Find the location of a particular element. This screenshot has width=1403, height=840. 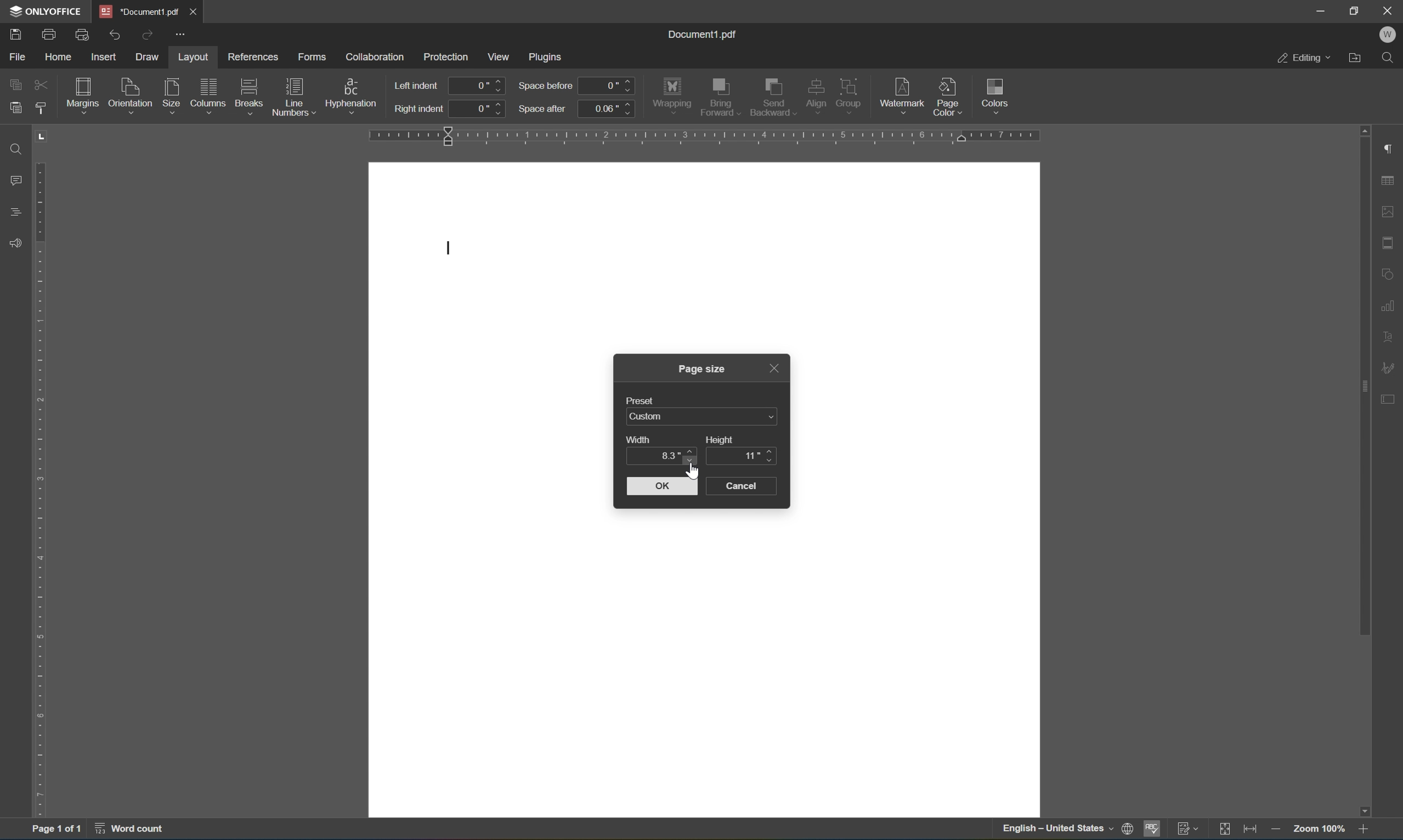

paste is located at coordinates (15, 107).